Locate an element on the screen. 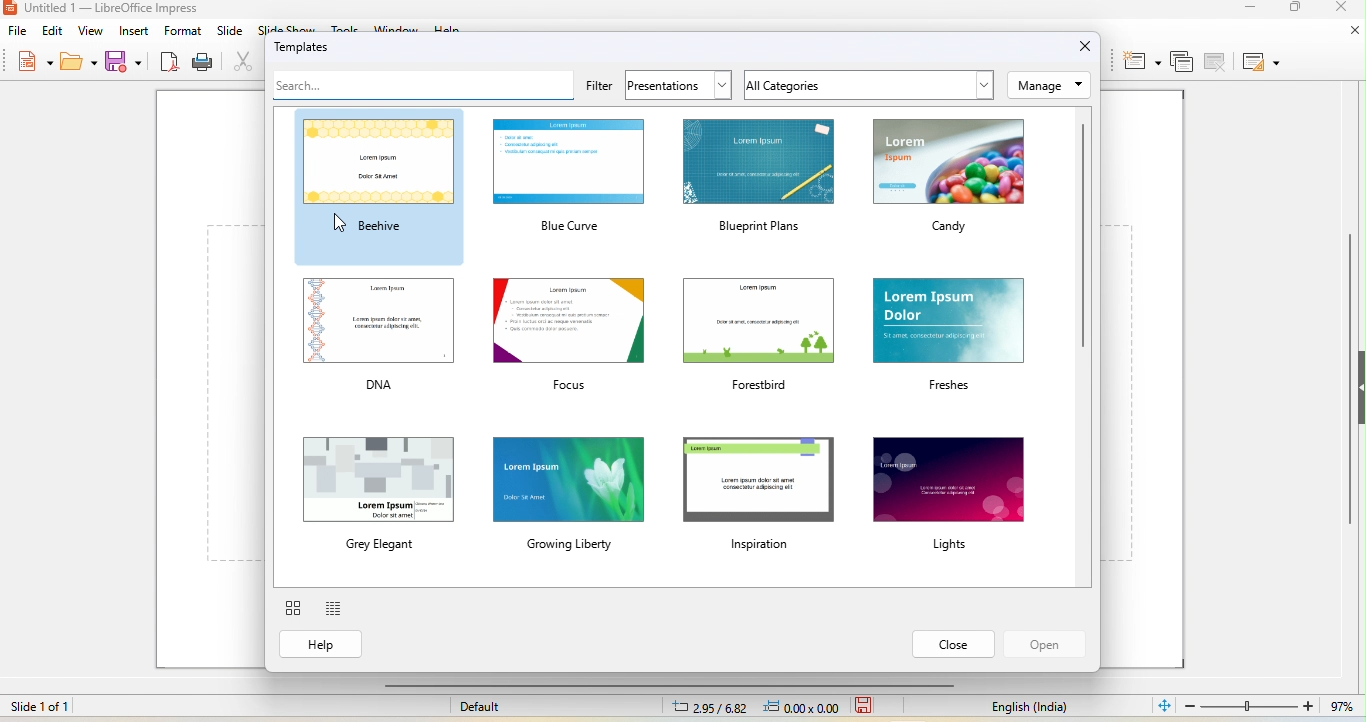 Image resolution: width=1366 pixels, height=722 pixels. save is located at coordinates (866, 706).